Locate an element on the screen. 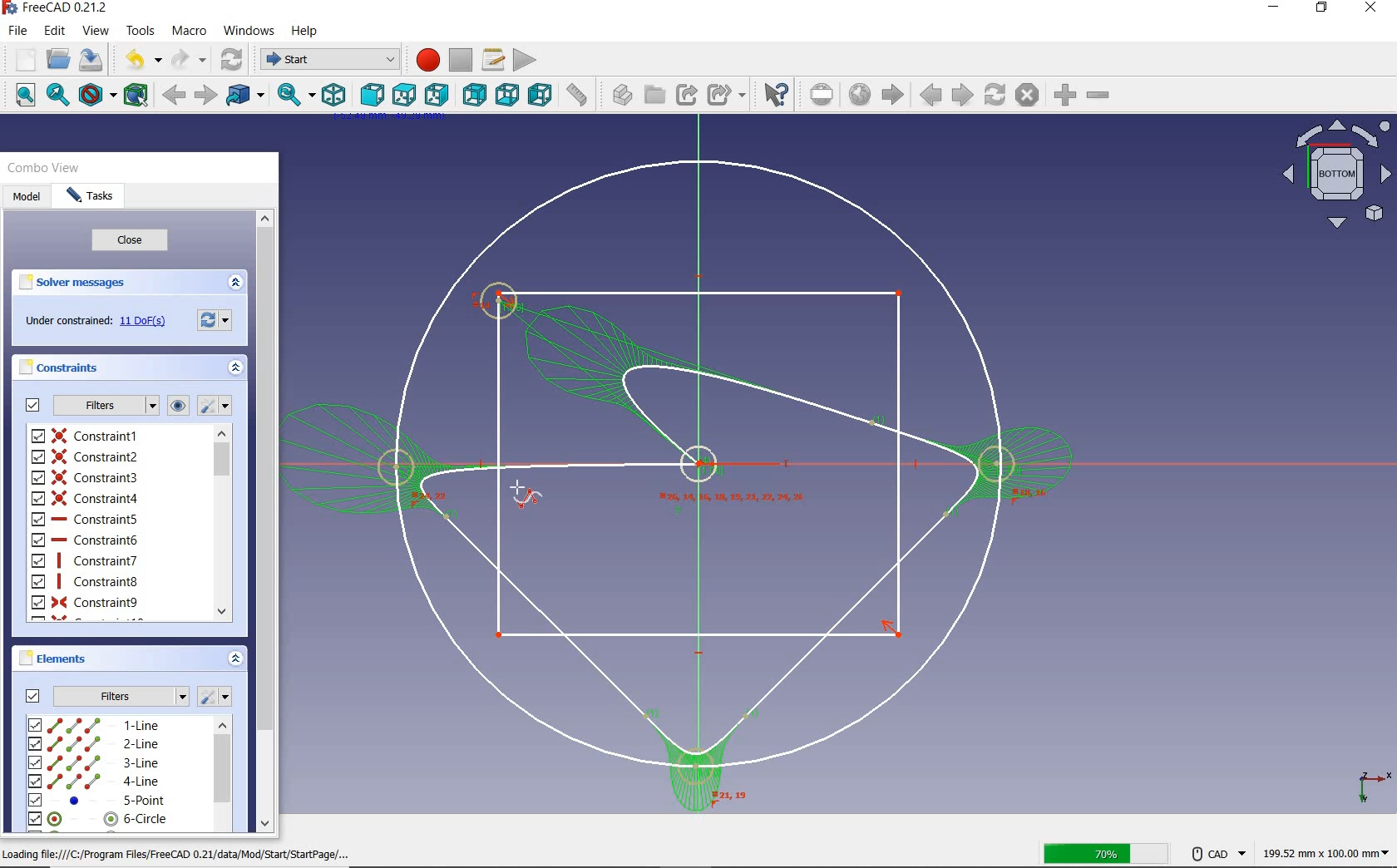 The height and width of the screenshot is (868, 1397). constraint7 is located at coordinates (84, 560).